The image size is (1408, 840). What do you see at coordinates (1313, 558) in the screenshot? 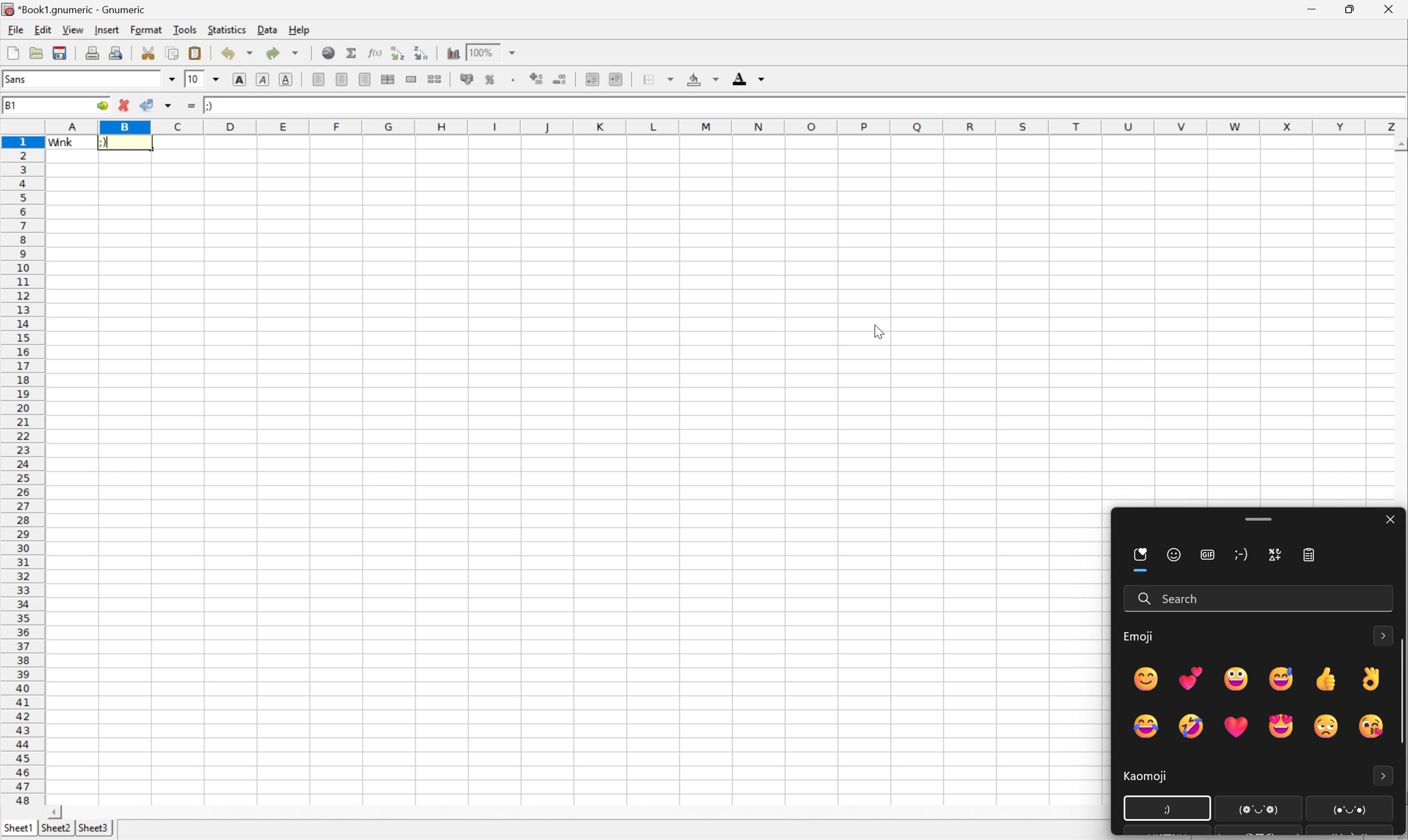
I see `clipboard history` at bounding box center [1313, 558].